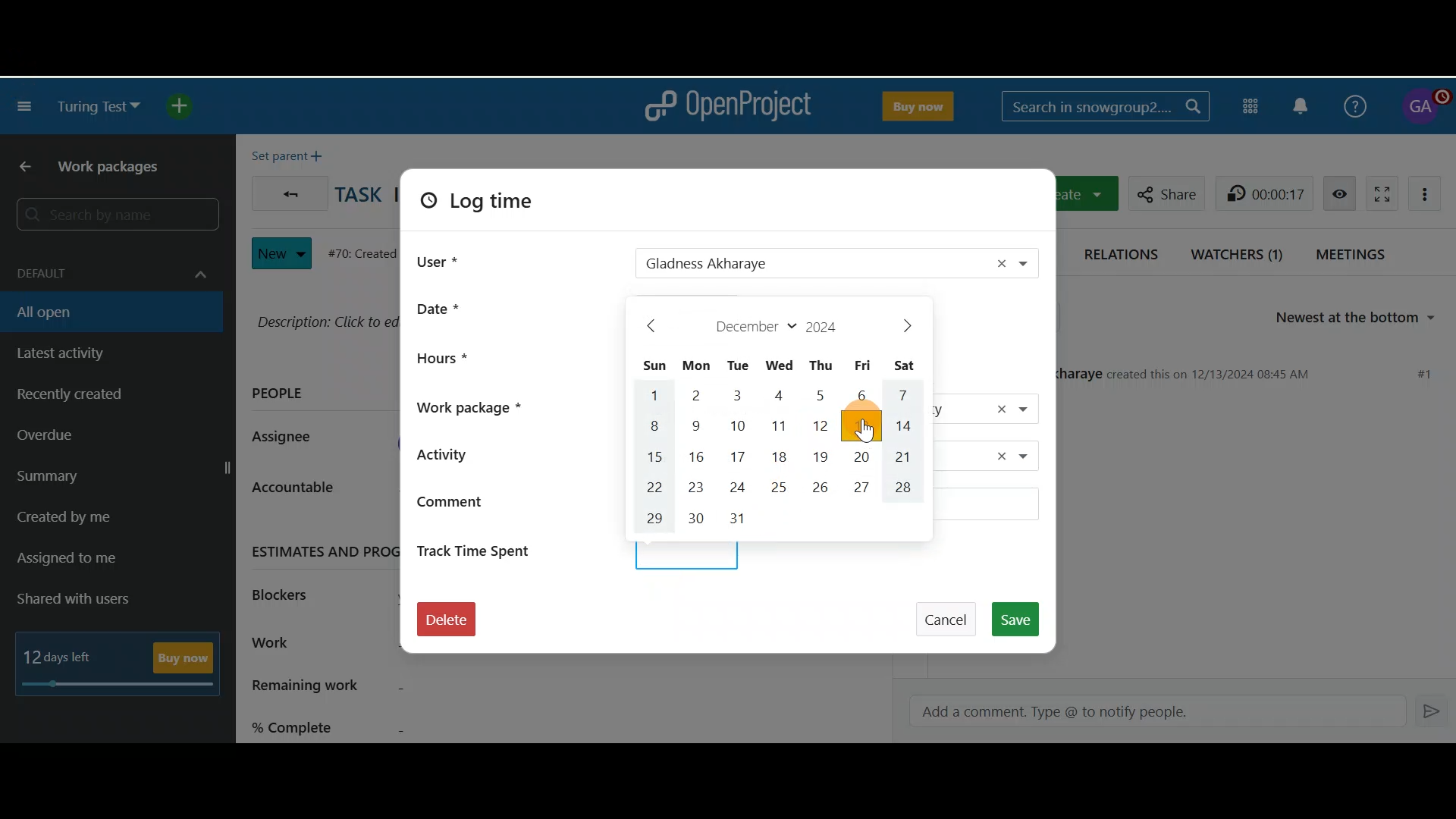 The height and width of the screenshot is (819, 1456). What do you see at coordinates (99, 107) in the screenshot?
I see `Turing test` at bounding box center [99, 107].